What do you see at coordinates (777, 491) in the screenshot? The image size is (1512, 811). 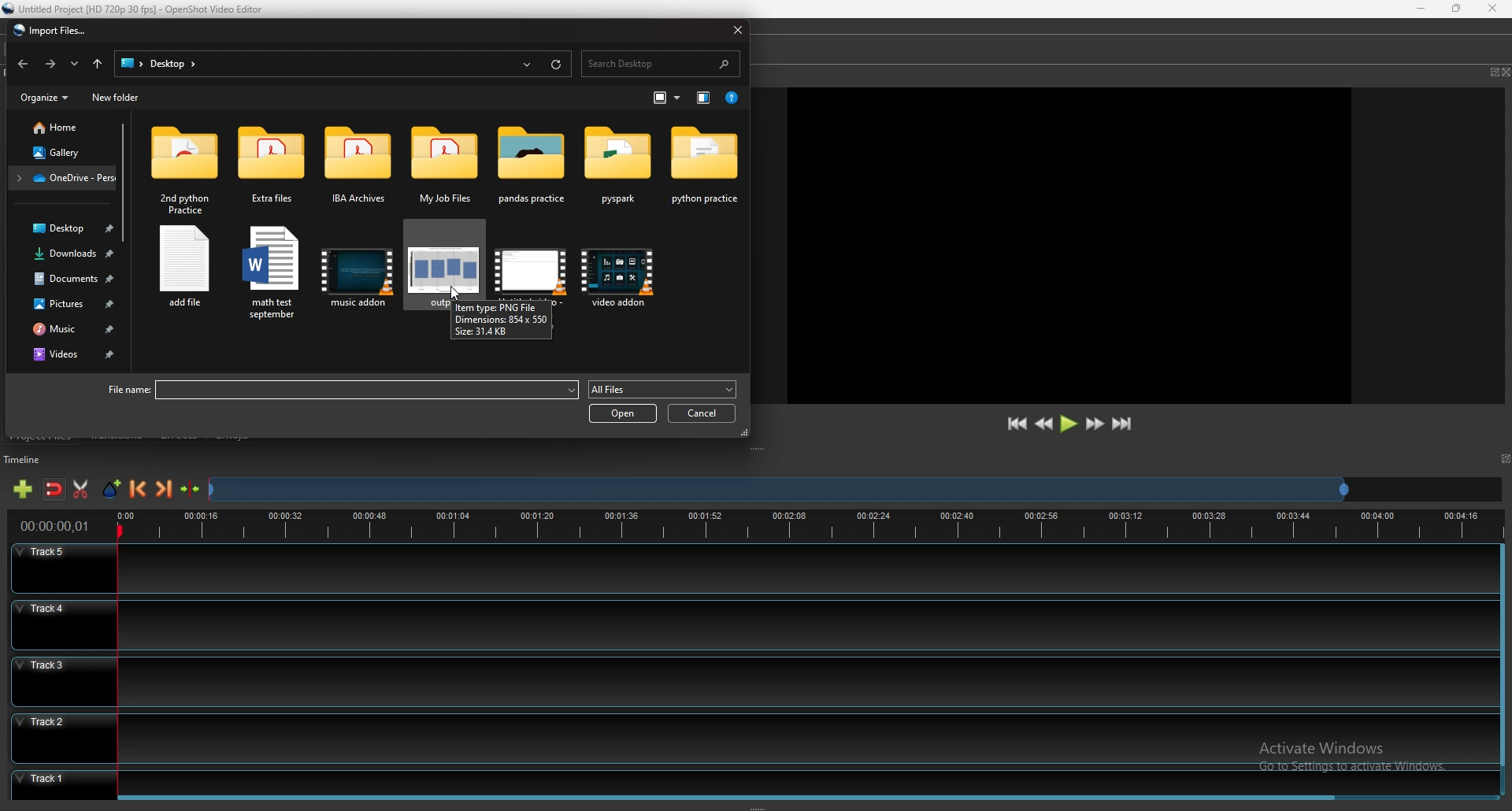 I see `seek` at bounding box center [777, 491].